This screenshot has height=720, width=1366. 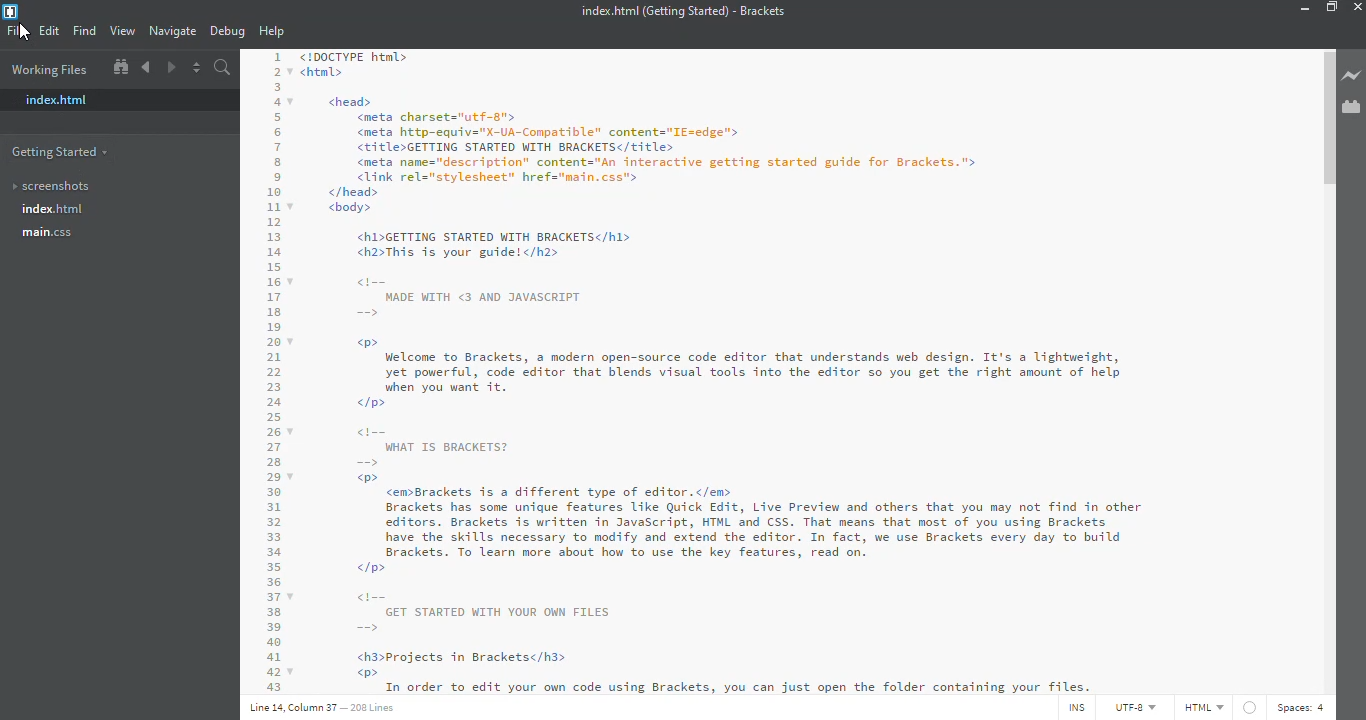 What do you see at coordinates (55, 210) in the screenshot?
I see `index` at bounding box center [55, 210].